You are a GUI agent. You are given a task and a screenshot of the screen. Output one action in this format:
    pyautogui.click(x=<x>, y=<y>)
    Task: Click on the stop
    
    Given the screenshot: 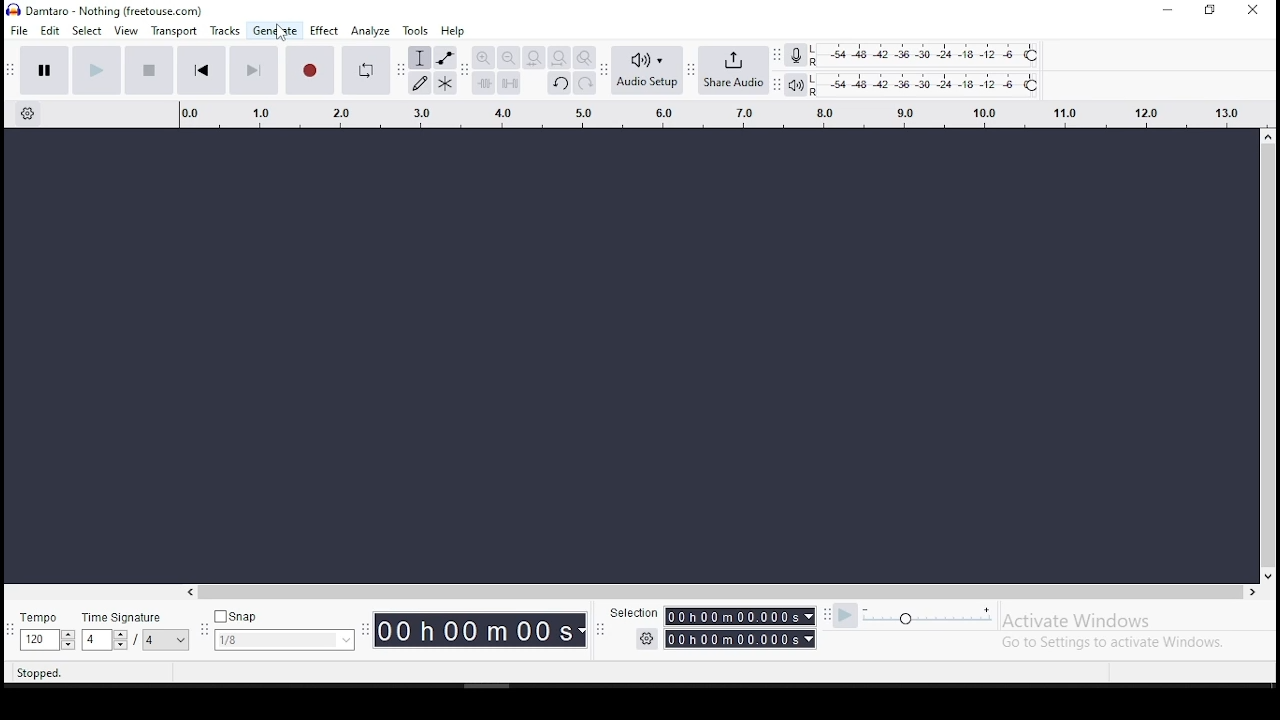 What is the action you would take?
    pyautogui.click(x=150, y=70)
    